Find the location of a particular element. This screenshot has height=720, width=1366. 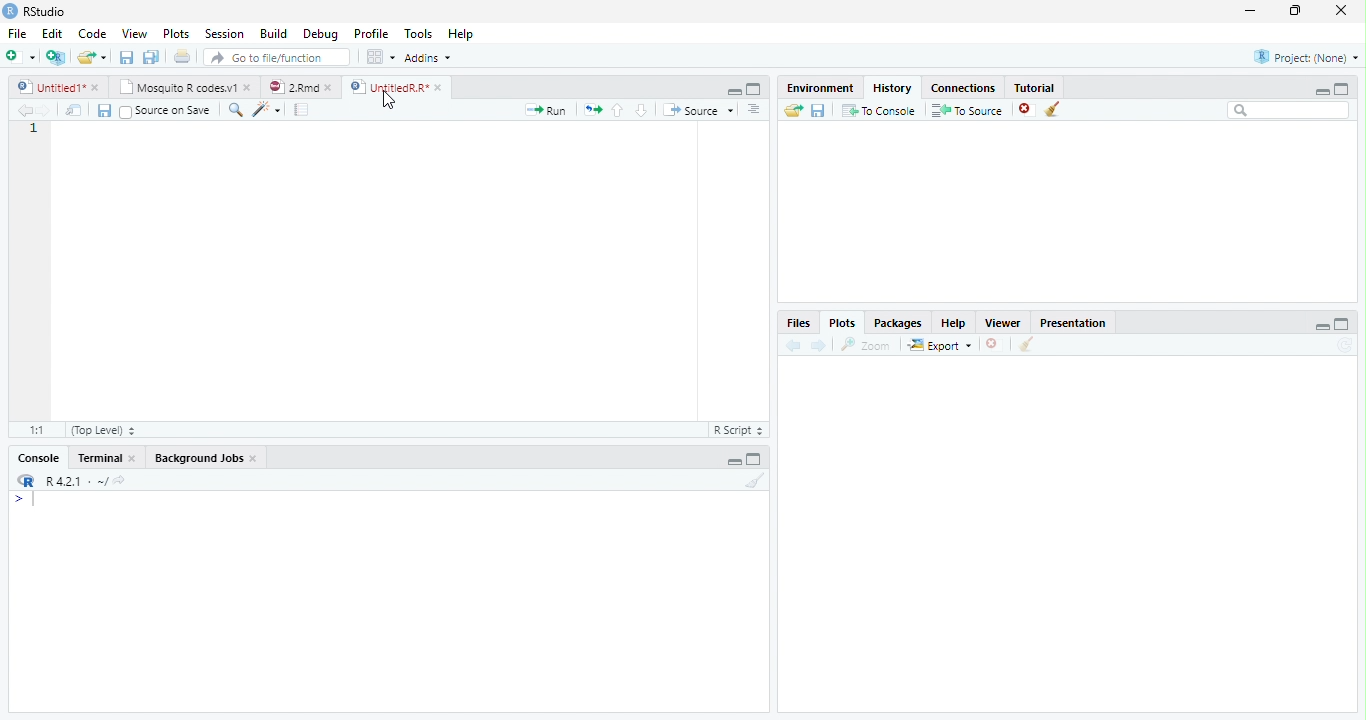

Untitled is located at coordinates (58, 88).